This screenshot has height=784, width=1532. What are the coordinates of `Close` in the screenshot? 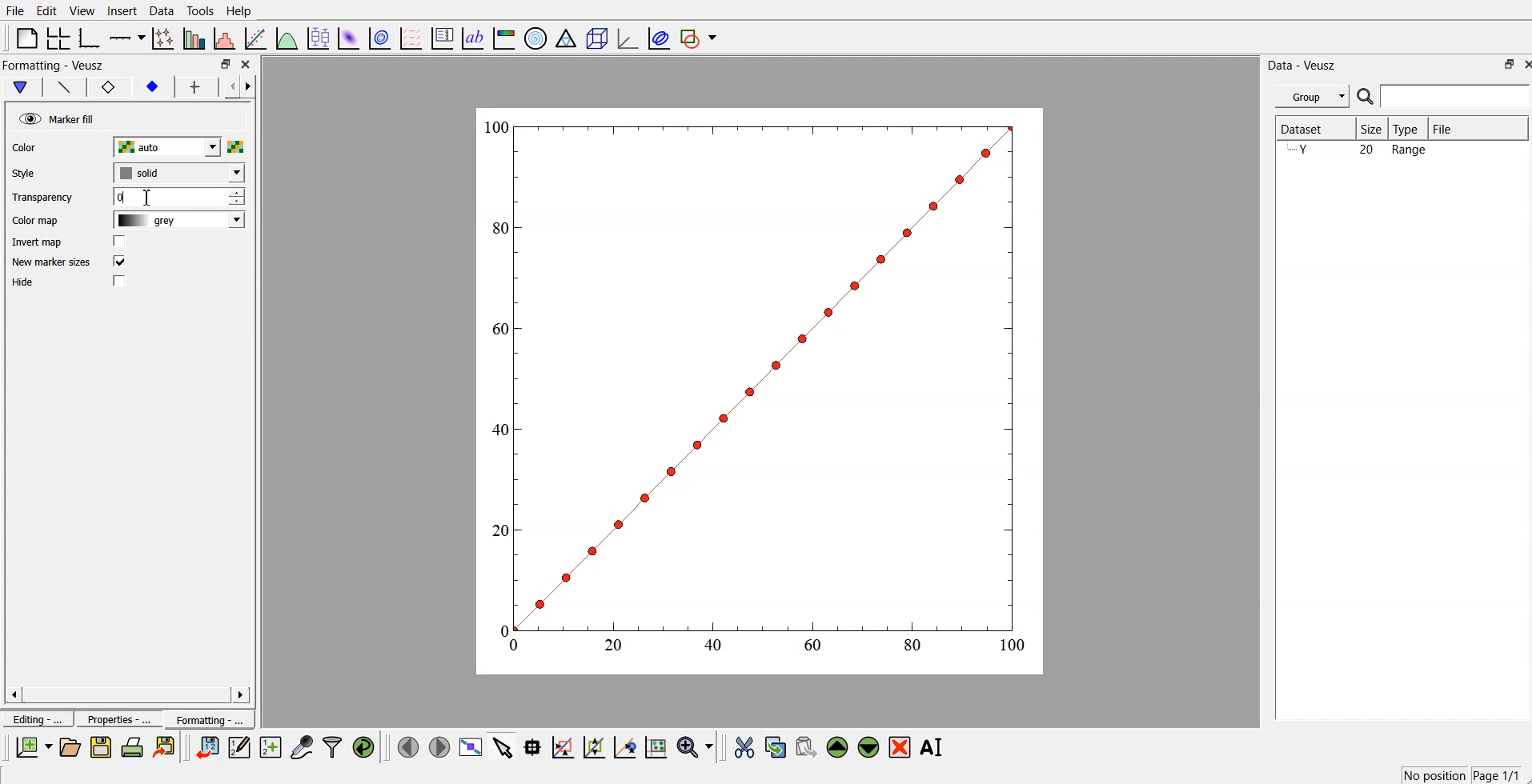 It's located at (1522, 63).